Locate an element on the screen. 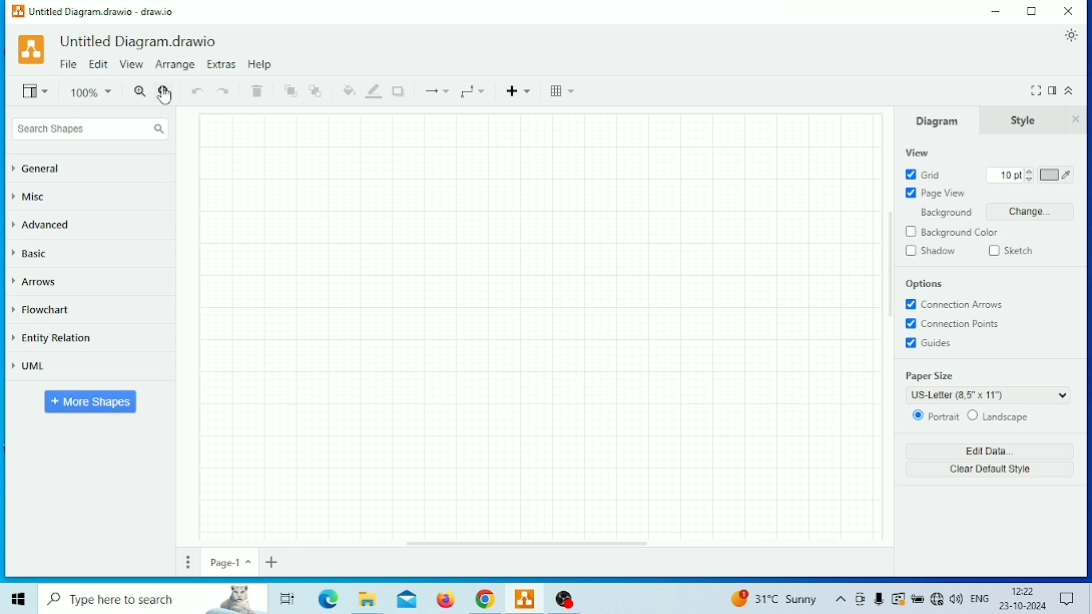  Meet Now is located at coordinates (859, 599).